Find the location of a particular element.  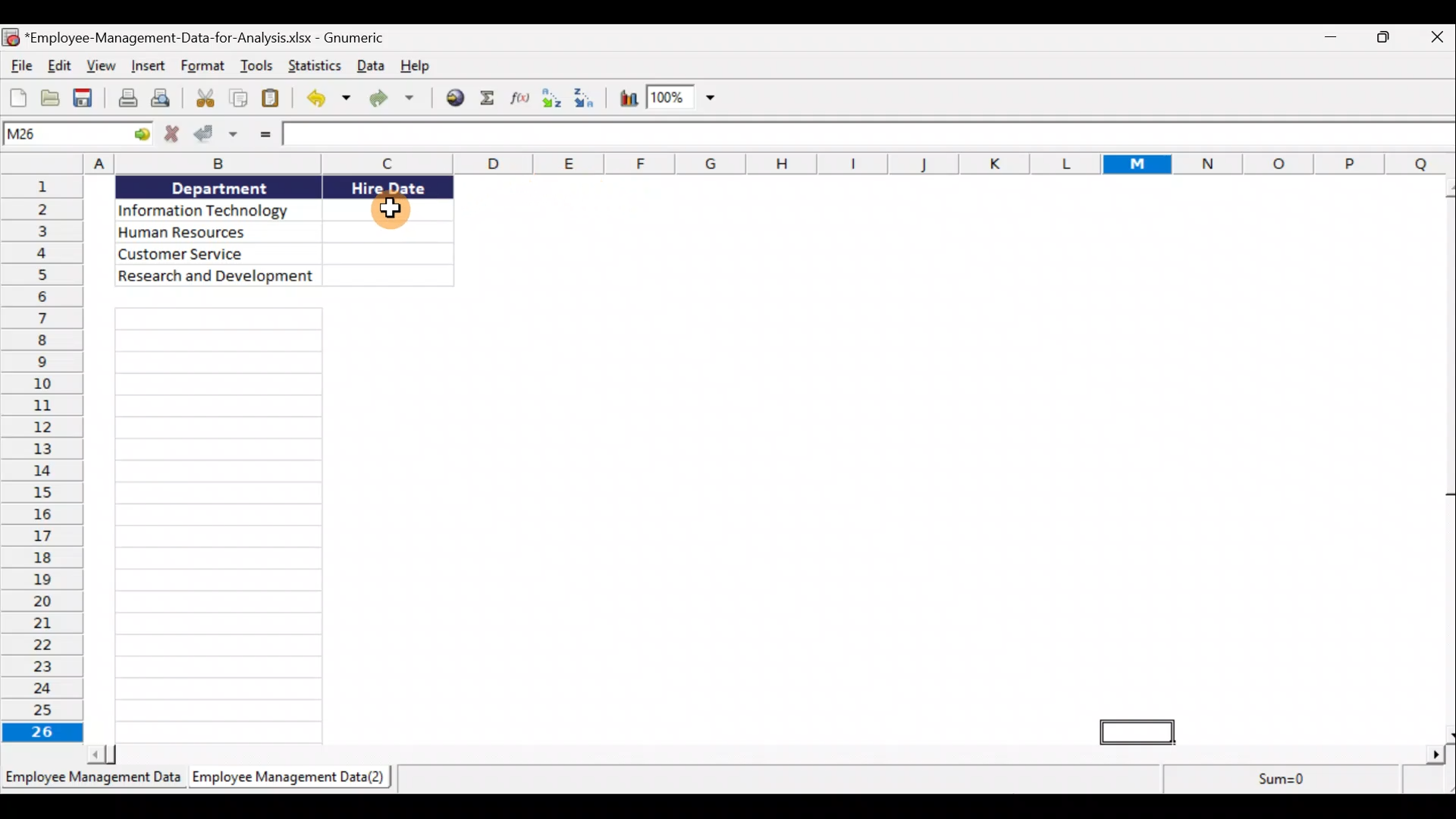

Undo last action is located at coordinates (325, 100).